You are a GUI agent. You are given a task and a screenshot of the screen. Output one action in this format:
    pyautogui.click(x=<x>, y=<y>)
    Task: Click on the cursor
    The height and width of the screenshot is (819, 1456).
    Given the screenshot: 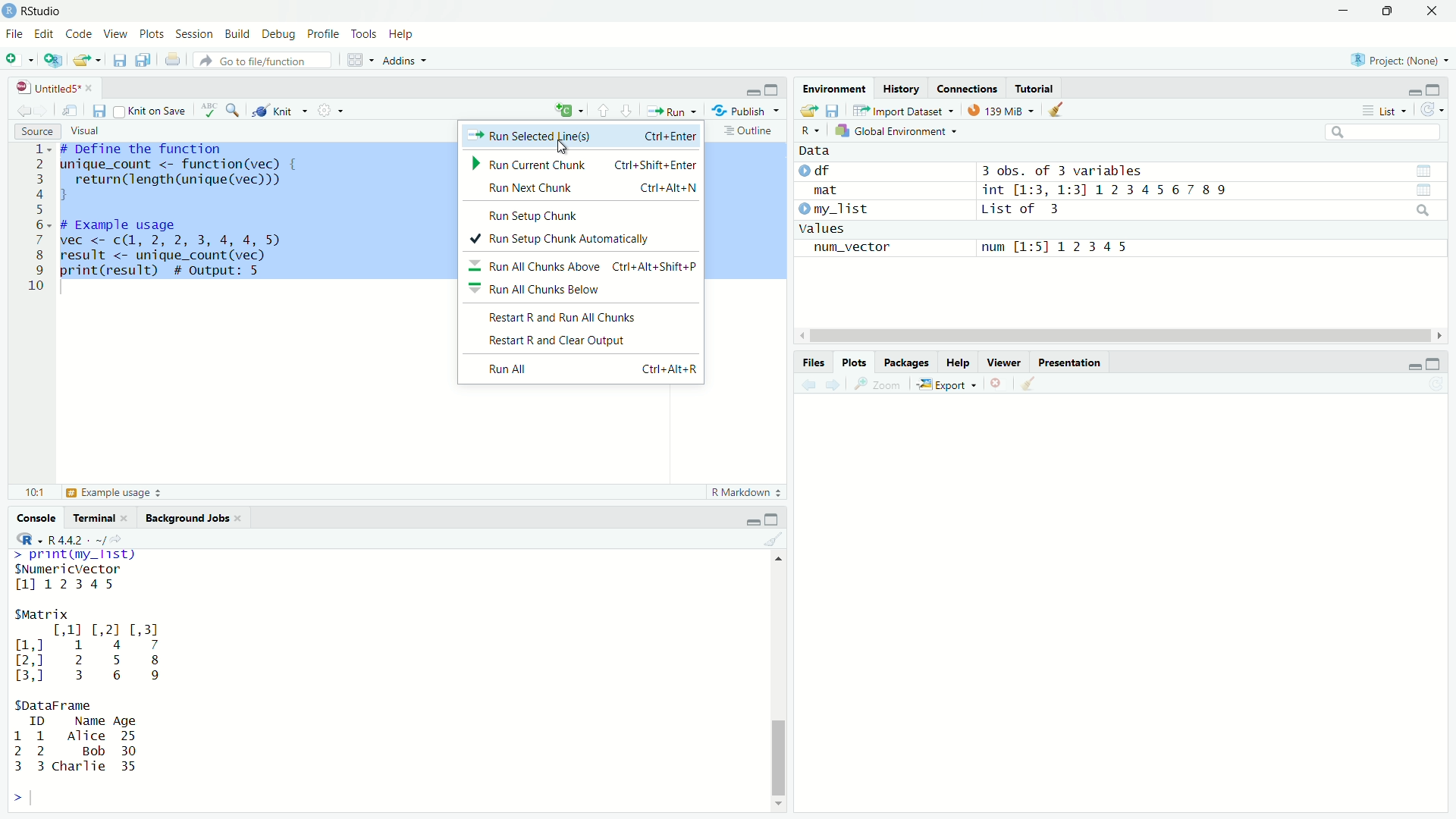 What is the action you would take?
    pyautogui.click(x=561, y=145)
    